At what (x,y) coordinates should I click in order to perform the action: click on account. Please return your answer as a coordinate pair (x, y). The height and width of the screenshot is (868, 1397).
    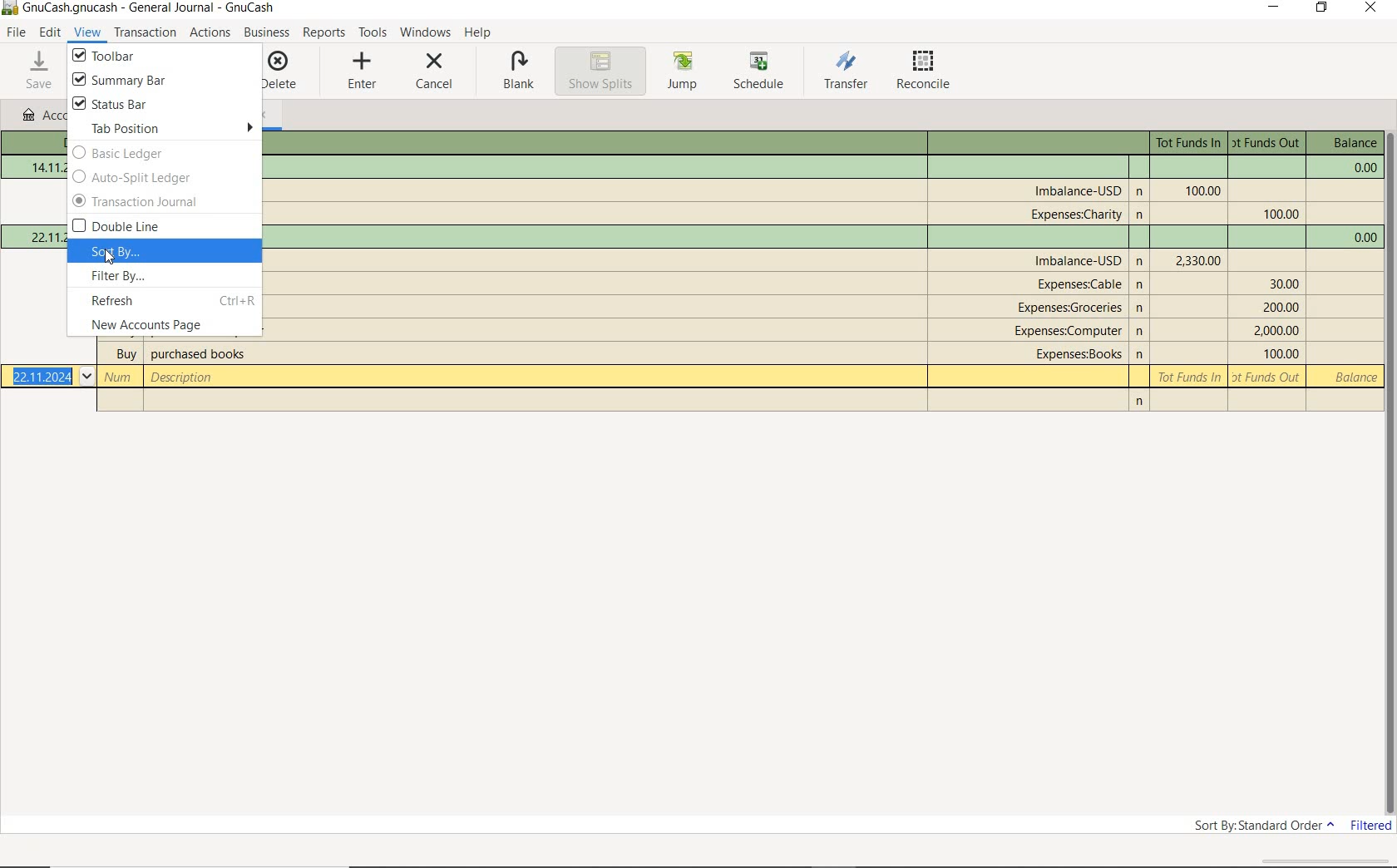
    Looking at the image, I should click on (1070, 331).